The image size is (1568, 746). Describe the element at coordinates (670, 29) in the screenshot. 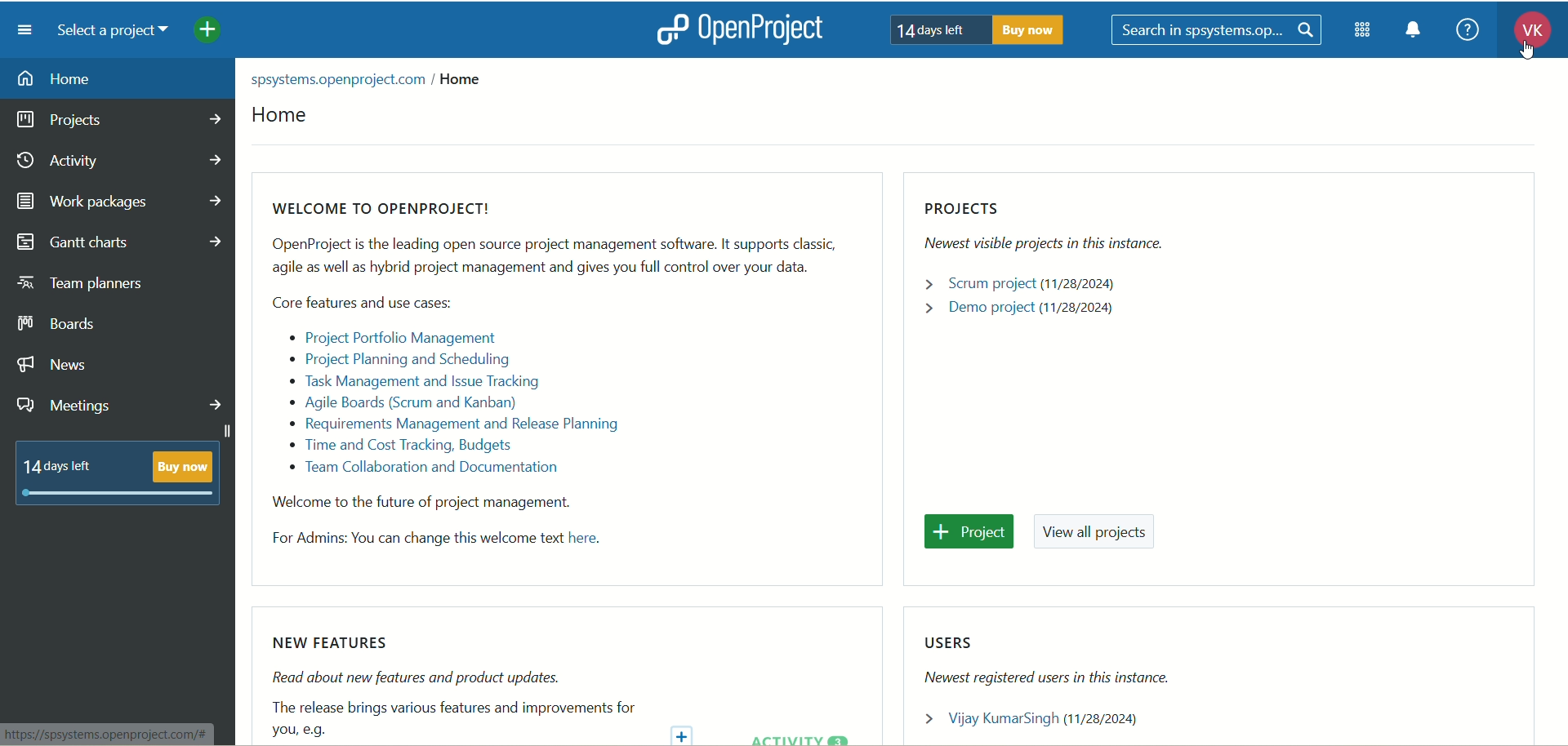

I see `logo` at that location.